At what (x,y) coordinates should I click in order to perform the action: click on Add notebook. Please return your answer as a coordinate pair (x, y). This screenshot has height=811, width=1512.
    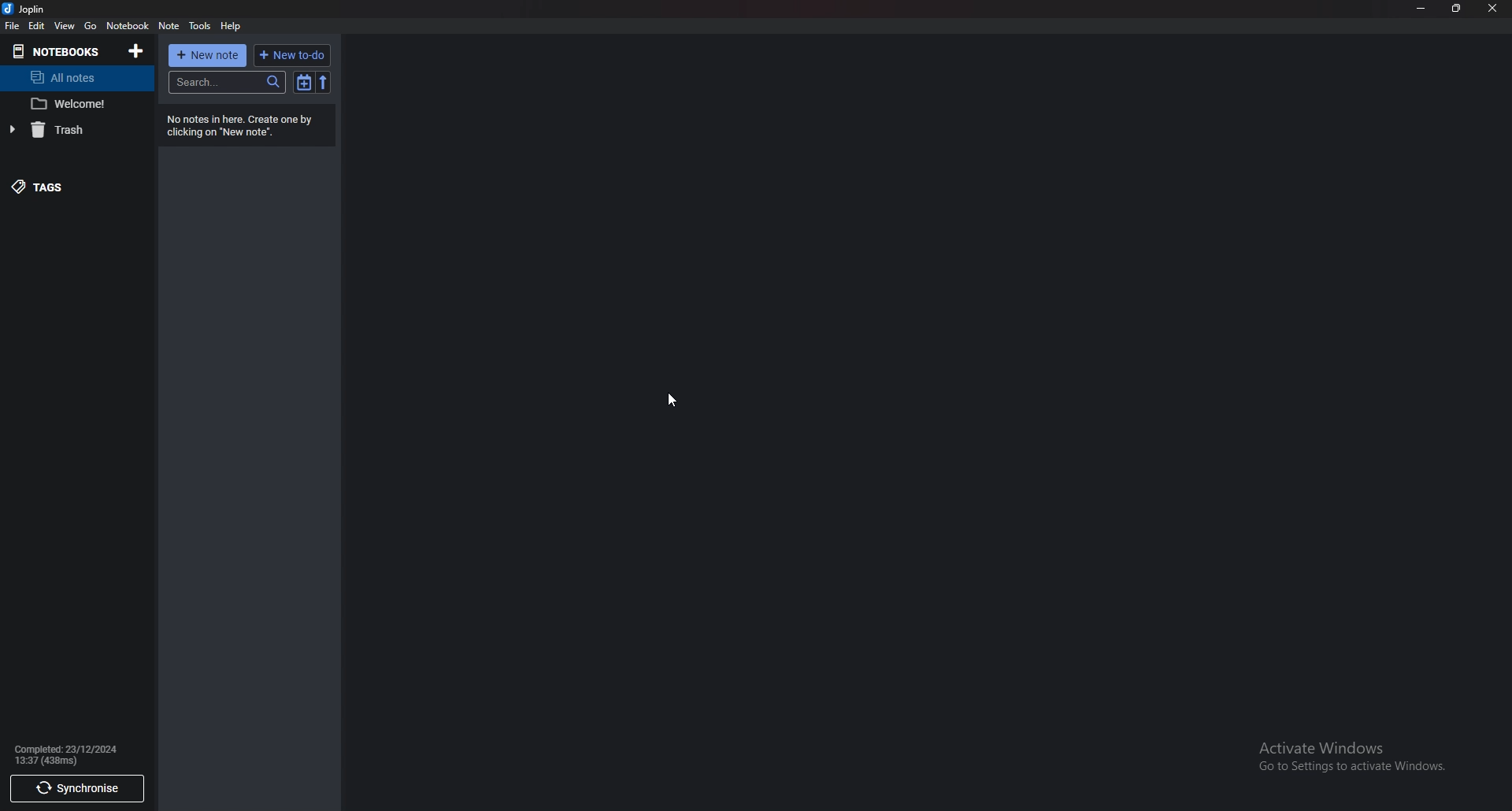
    Looking at the image, I should click on (135, 52).